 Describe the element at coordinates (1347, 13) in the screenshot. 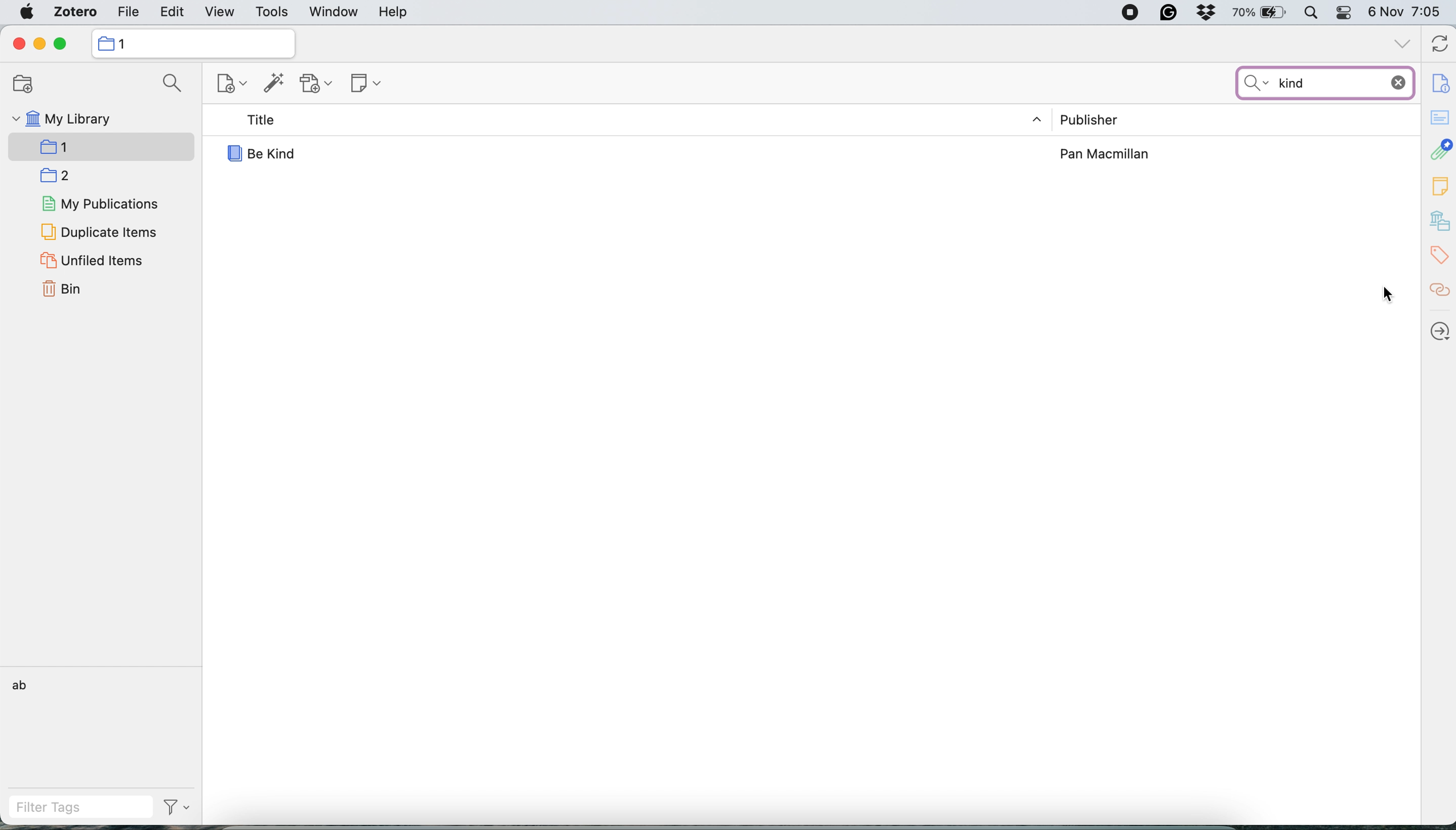

I see `control center` at that location.